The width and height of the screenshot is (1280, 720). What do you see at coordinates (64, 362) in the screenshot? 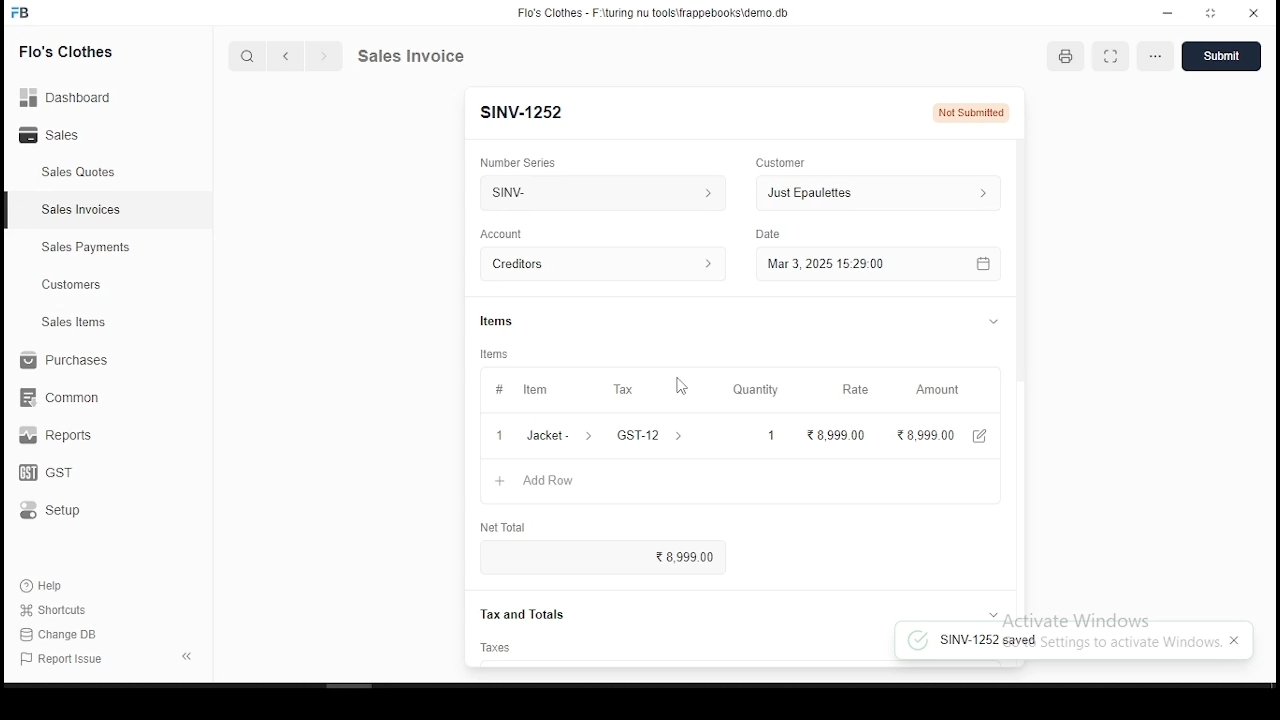
I see `purchases` at bounding box center [64, 362].